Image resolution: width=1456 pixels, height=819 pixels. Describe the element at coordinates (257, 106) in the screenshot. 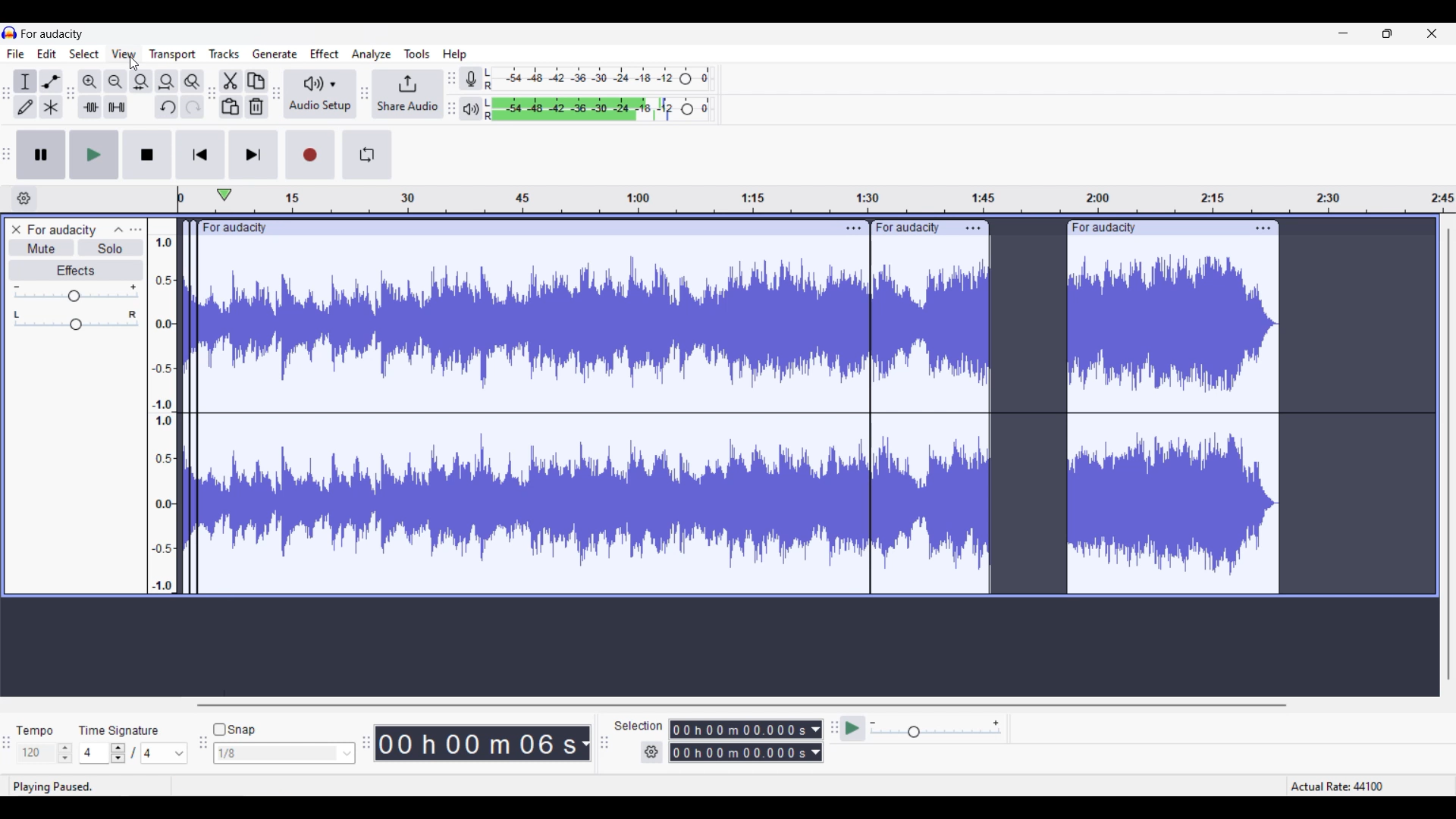

I see `Delete` at that location.